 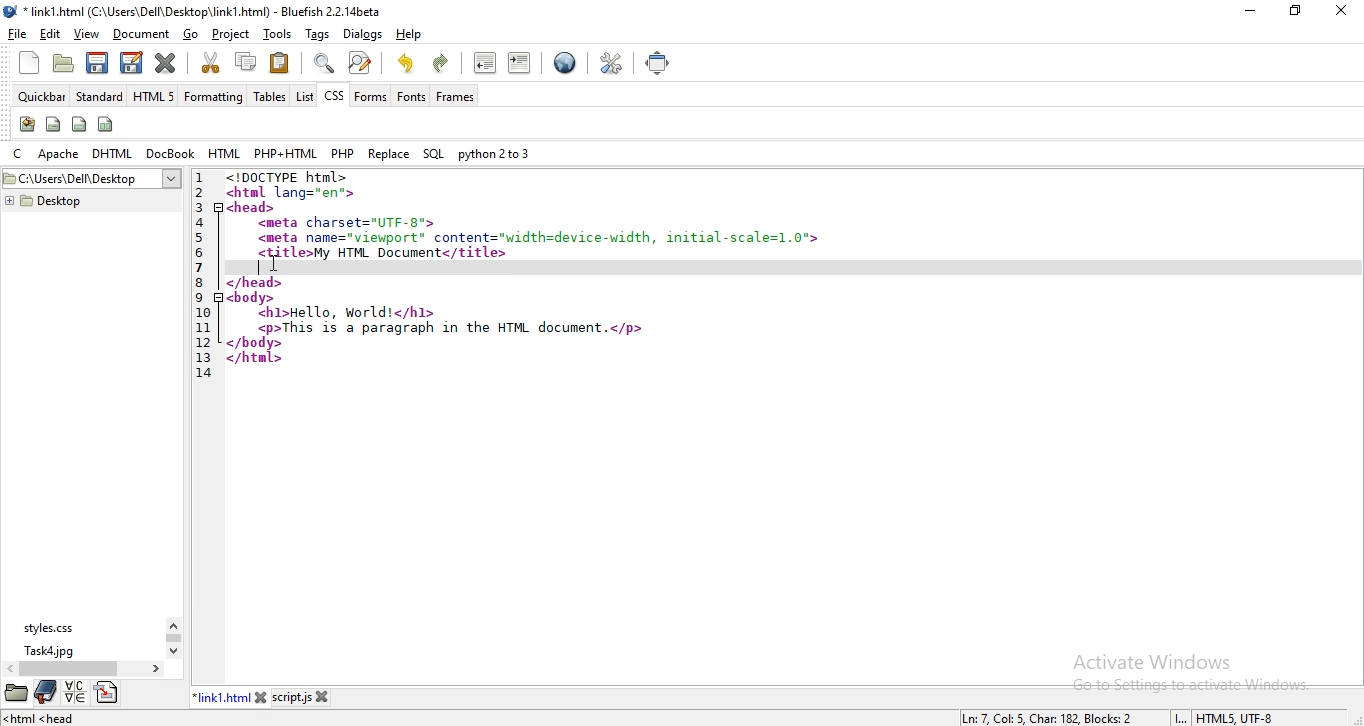 I want to click on full screen, so click(x=662, y=64).